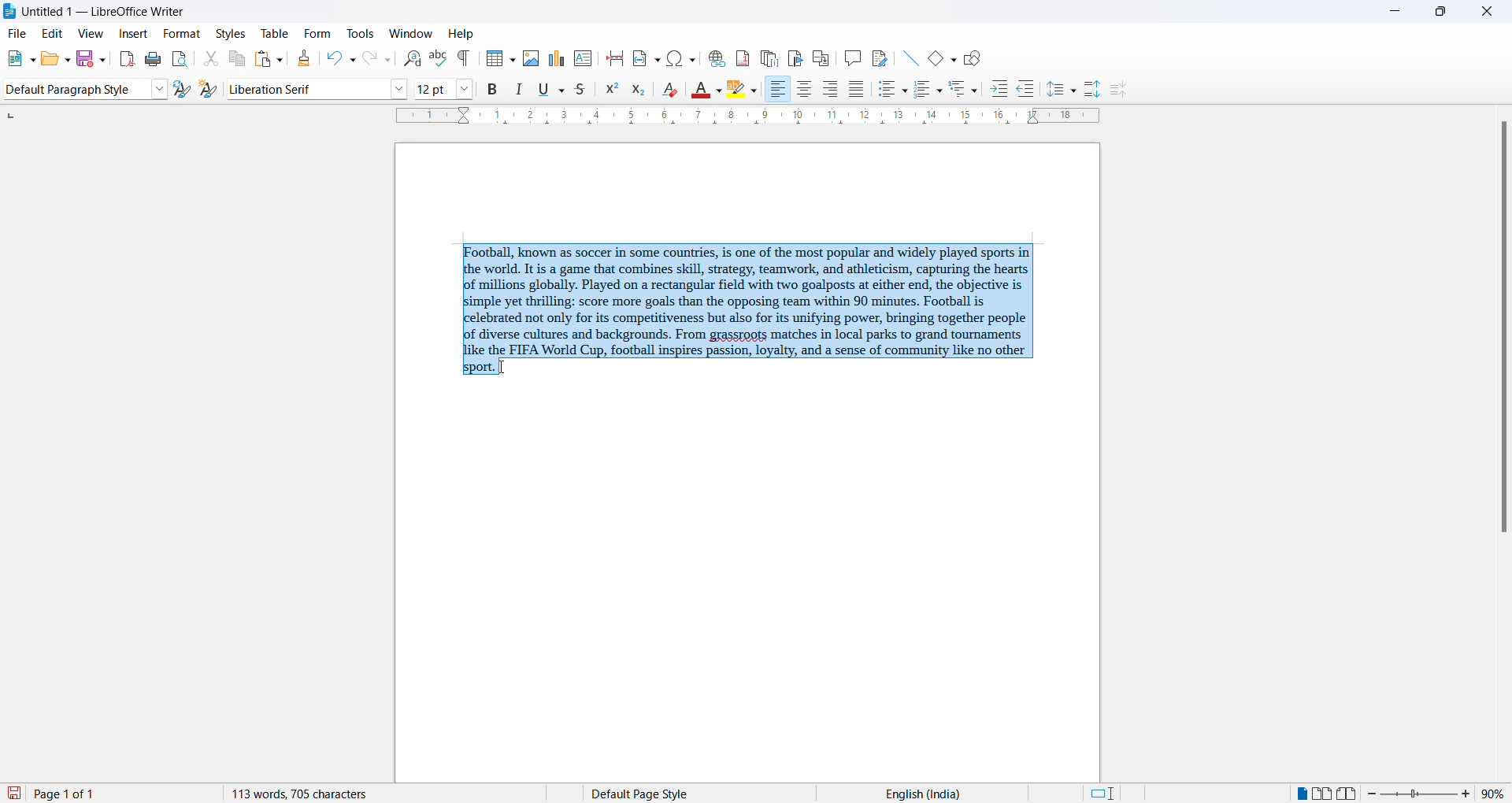 The image size is (1512, 803). I want to click on save options, so click(105, 57).